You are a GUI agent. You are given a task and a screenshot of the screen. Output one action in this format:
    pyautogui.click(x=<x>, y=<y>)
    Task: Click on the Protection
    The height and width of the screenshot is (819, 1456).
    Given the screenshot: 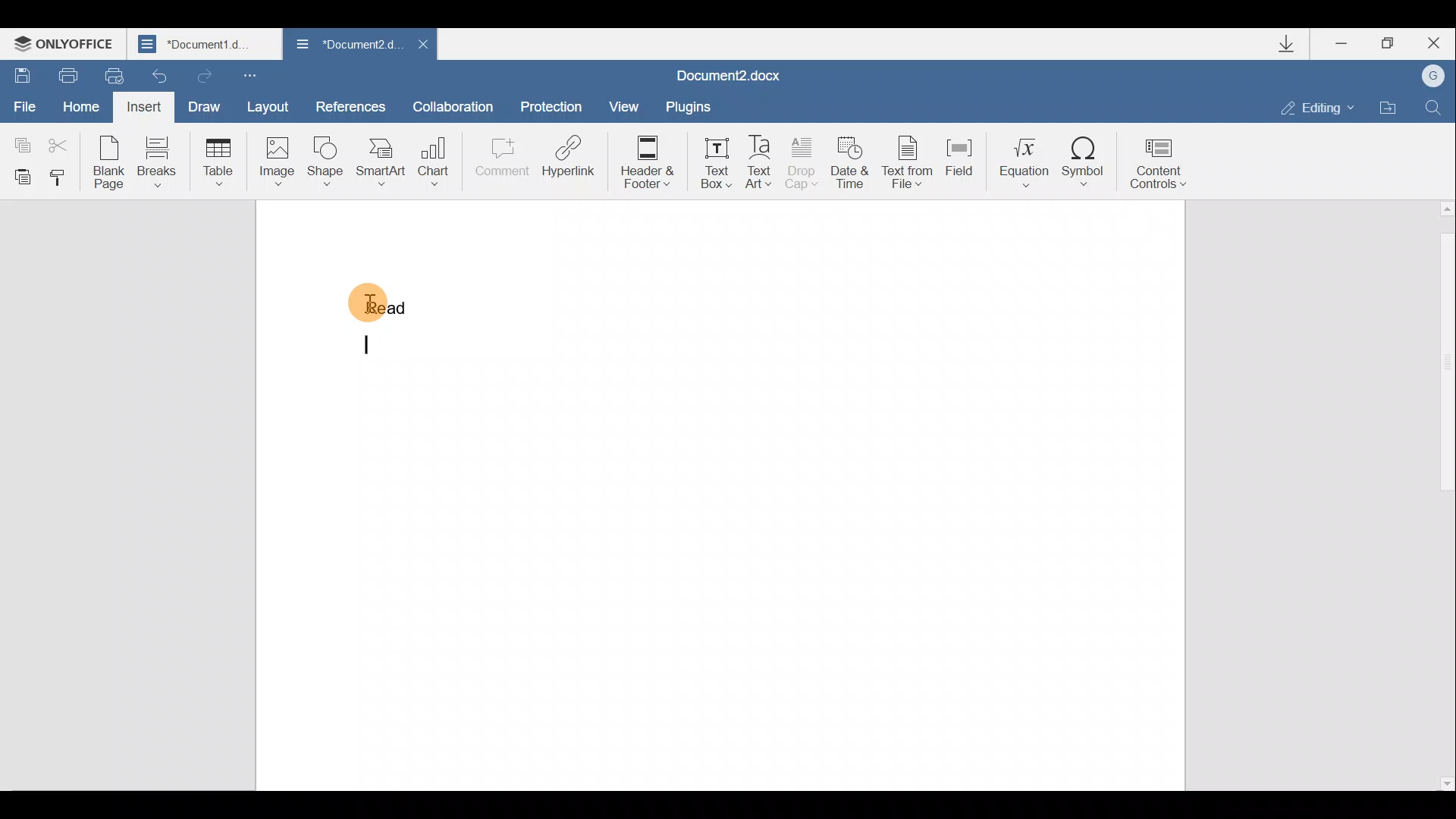 What is the action you would take?
    pyautogui.click(x=554, y=101)
    